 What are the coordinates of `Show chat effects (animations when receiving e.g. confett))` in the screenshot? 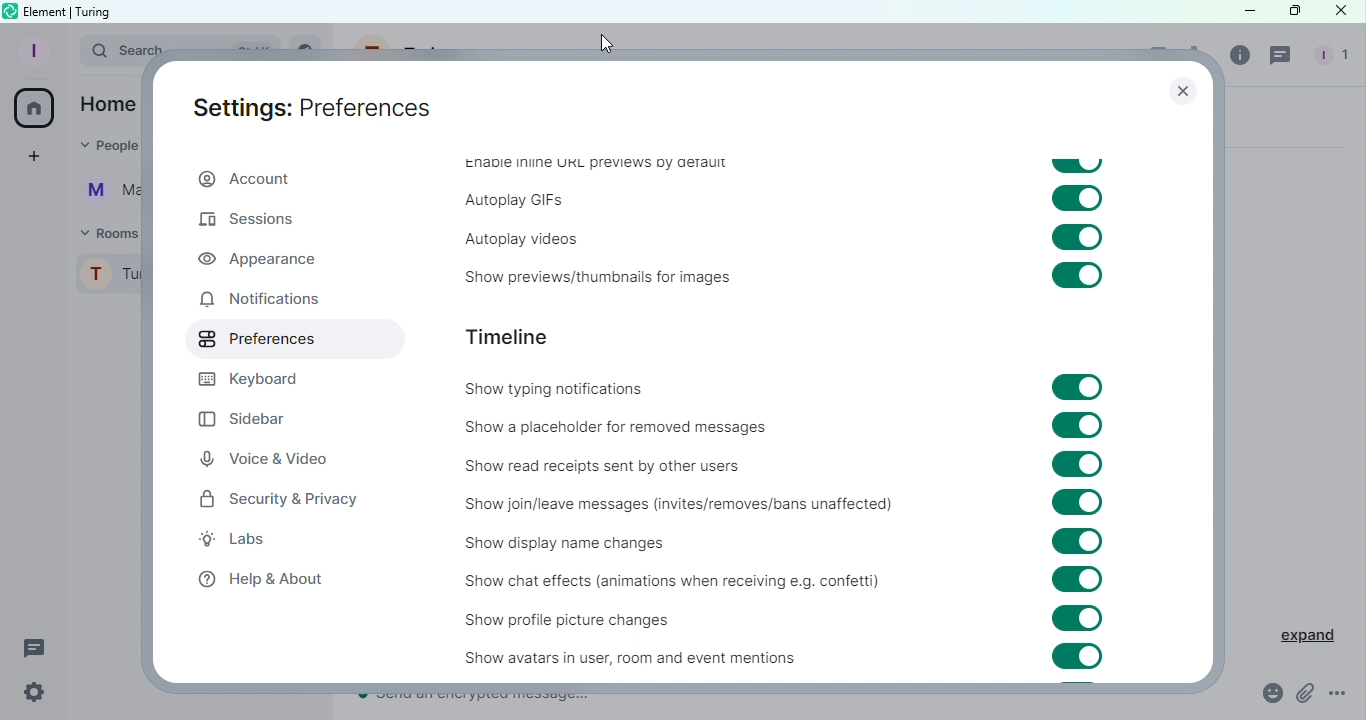 It's located at (667, 584).